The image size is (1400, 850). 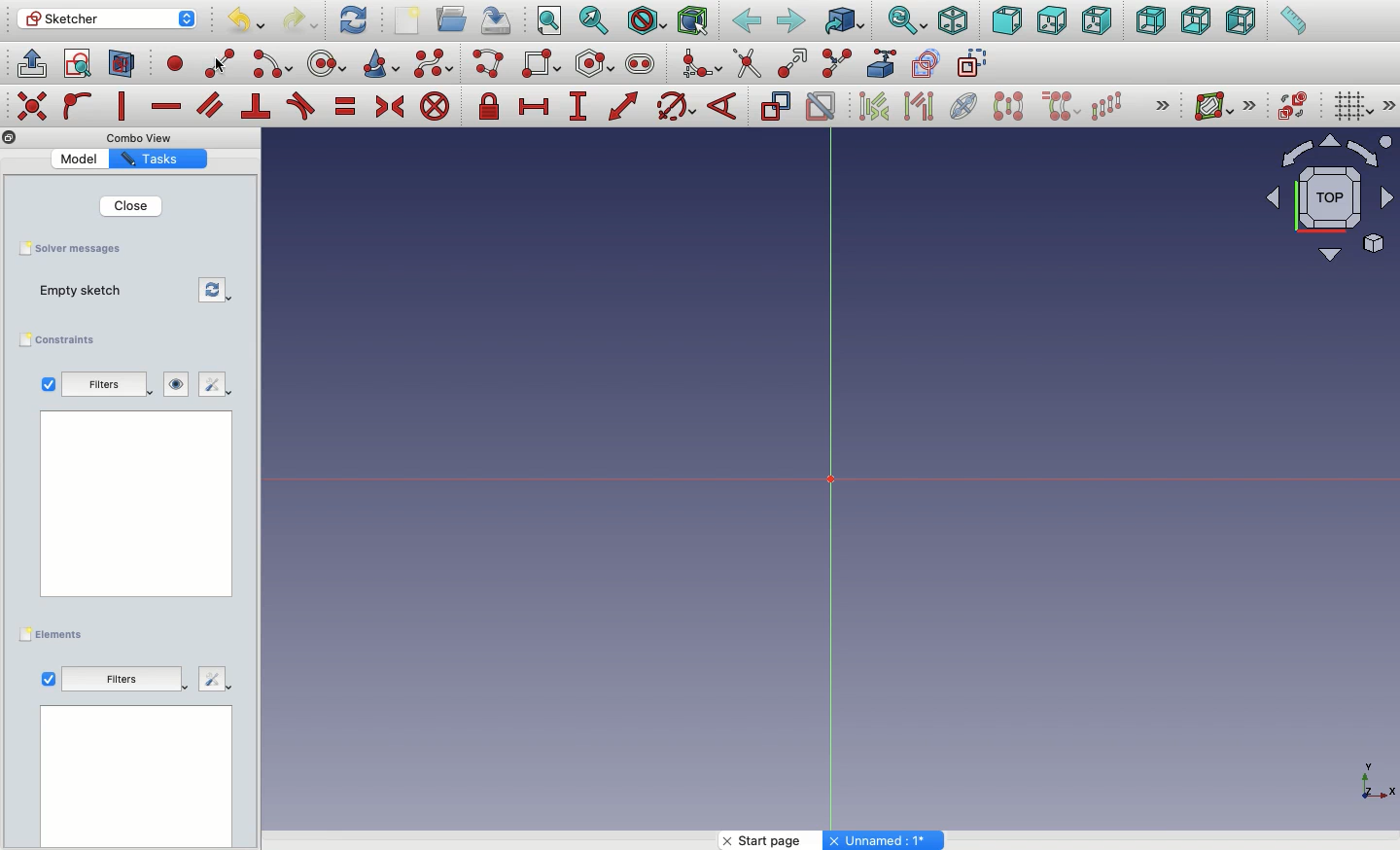 I want to click on Leave sketch, so click(x=31, y=62).